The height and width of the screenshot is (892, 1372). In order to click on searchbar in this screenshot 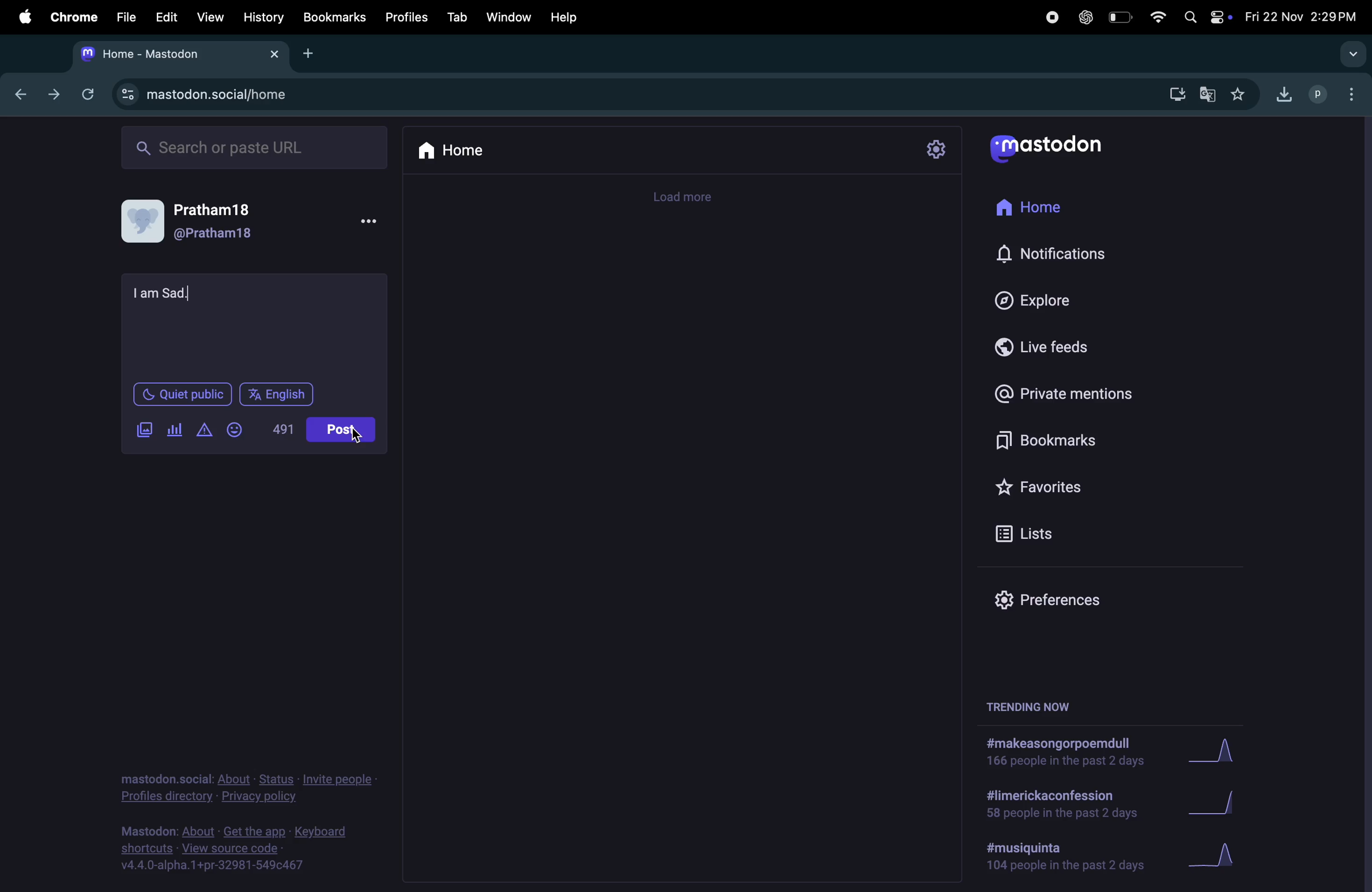, I will do `click(251, 145)`.